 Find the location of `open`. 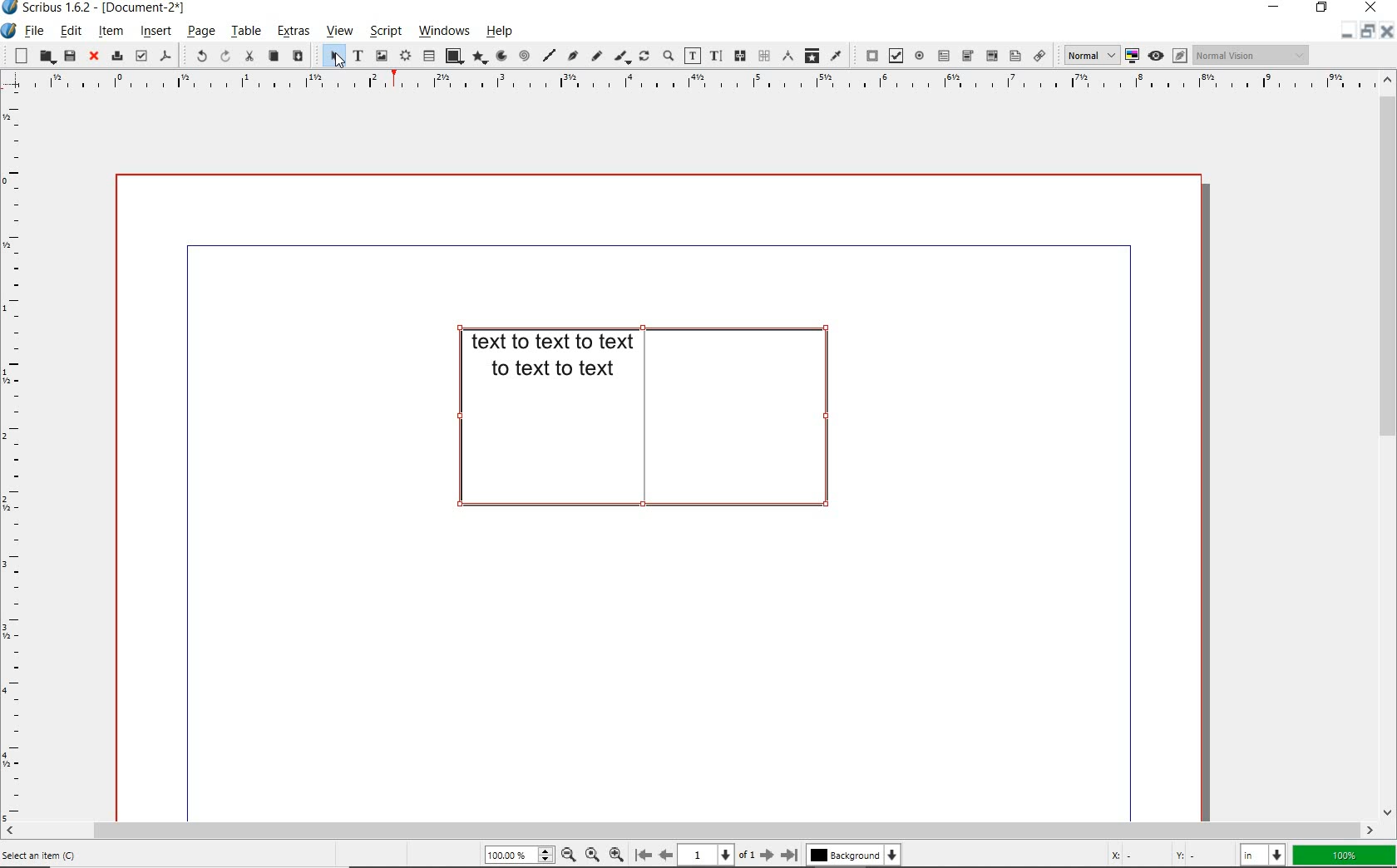

open is located at coordinates (46, 57).